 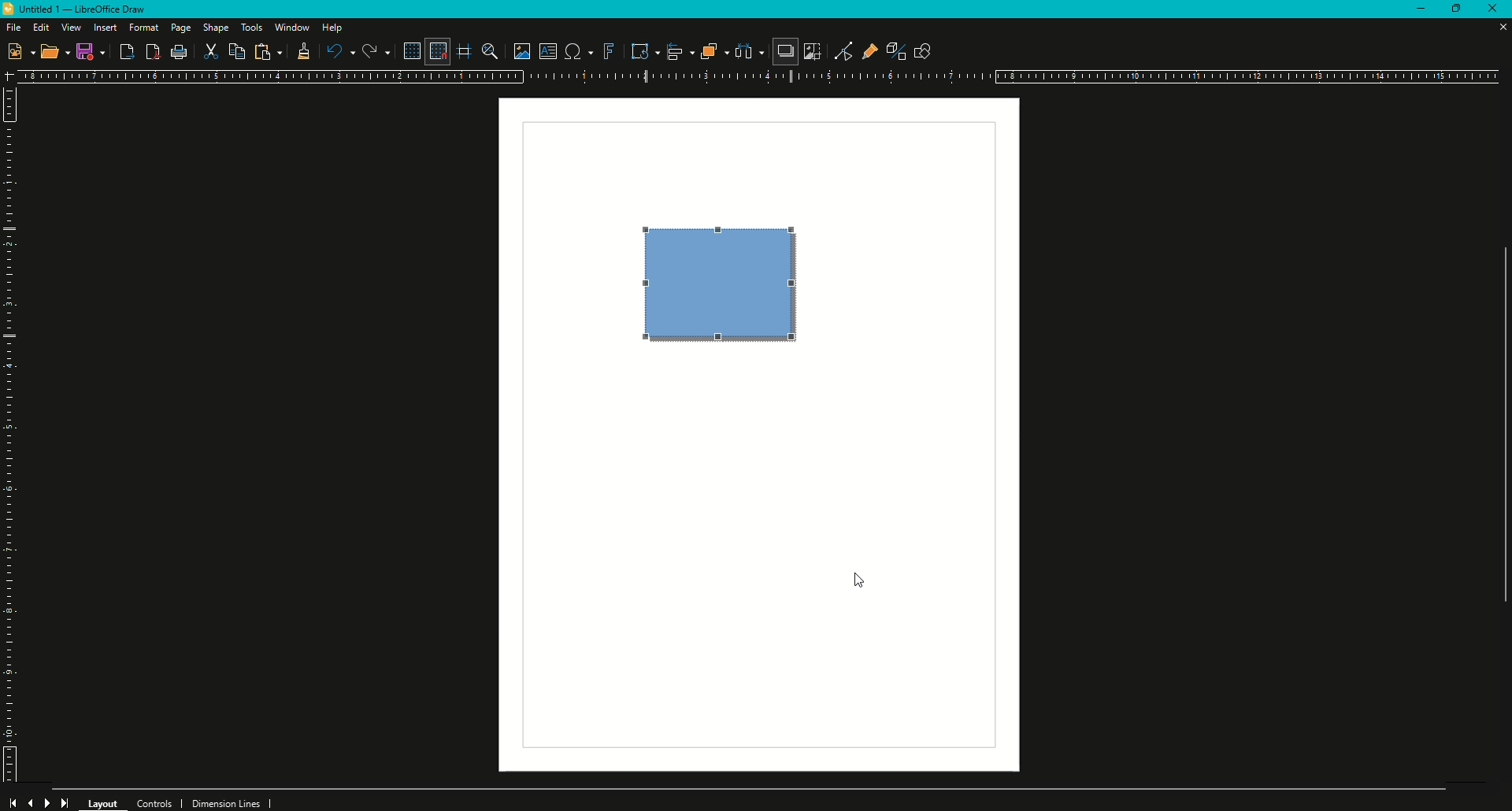 I want to click on Transformations, so click(x=638, y=50).